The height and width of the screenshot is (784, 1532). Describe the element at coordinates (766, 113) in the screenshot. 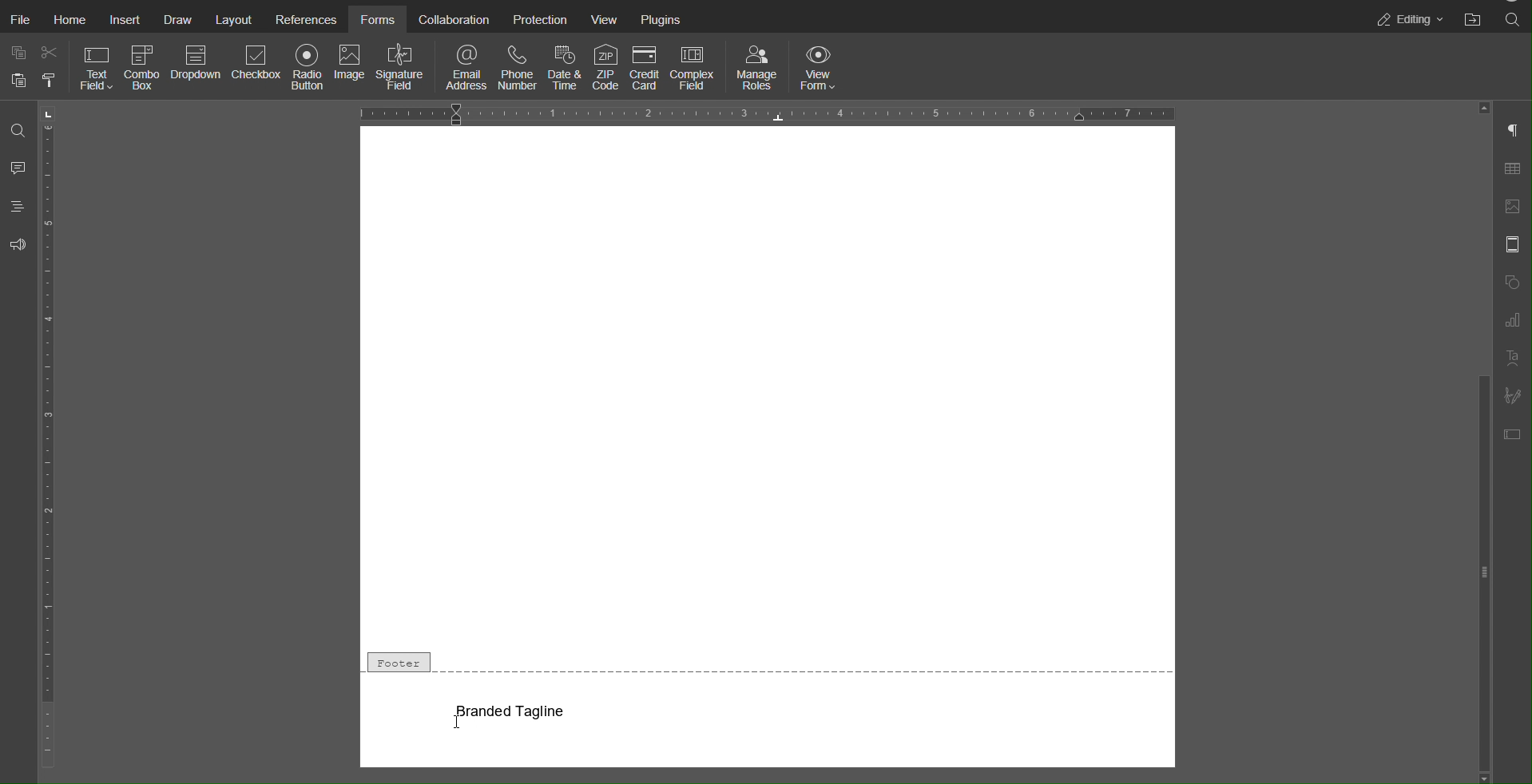

I see `Horizontal Ruler` at that location.